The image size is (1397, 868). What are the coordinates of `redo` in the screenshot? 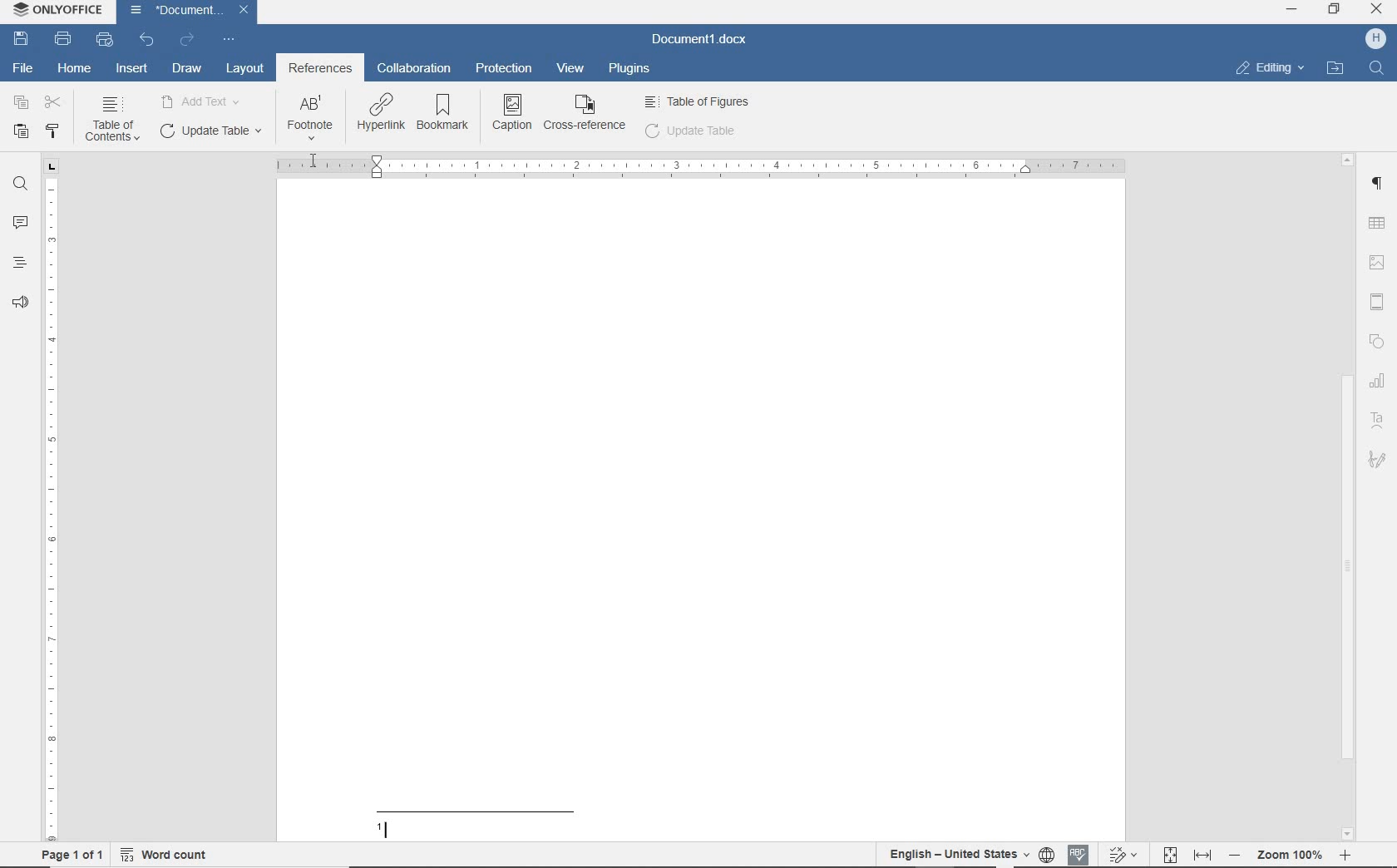 It's located at (187, 42).